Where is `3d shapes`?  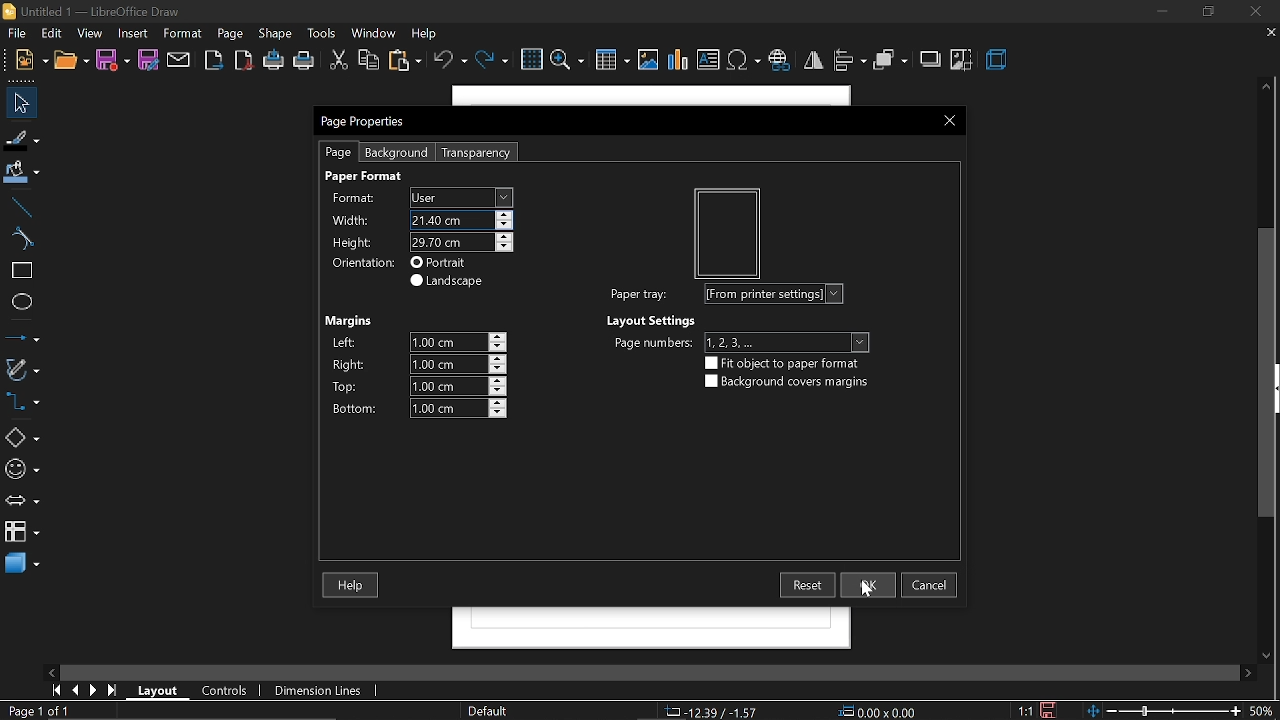
3d shapes is located at coordinates (23, 566).